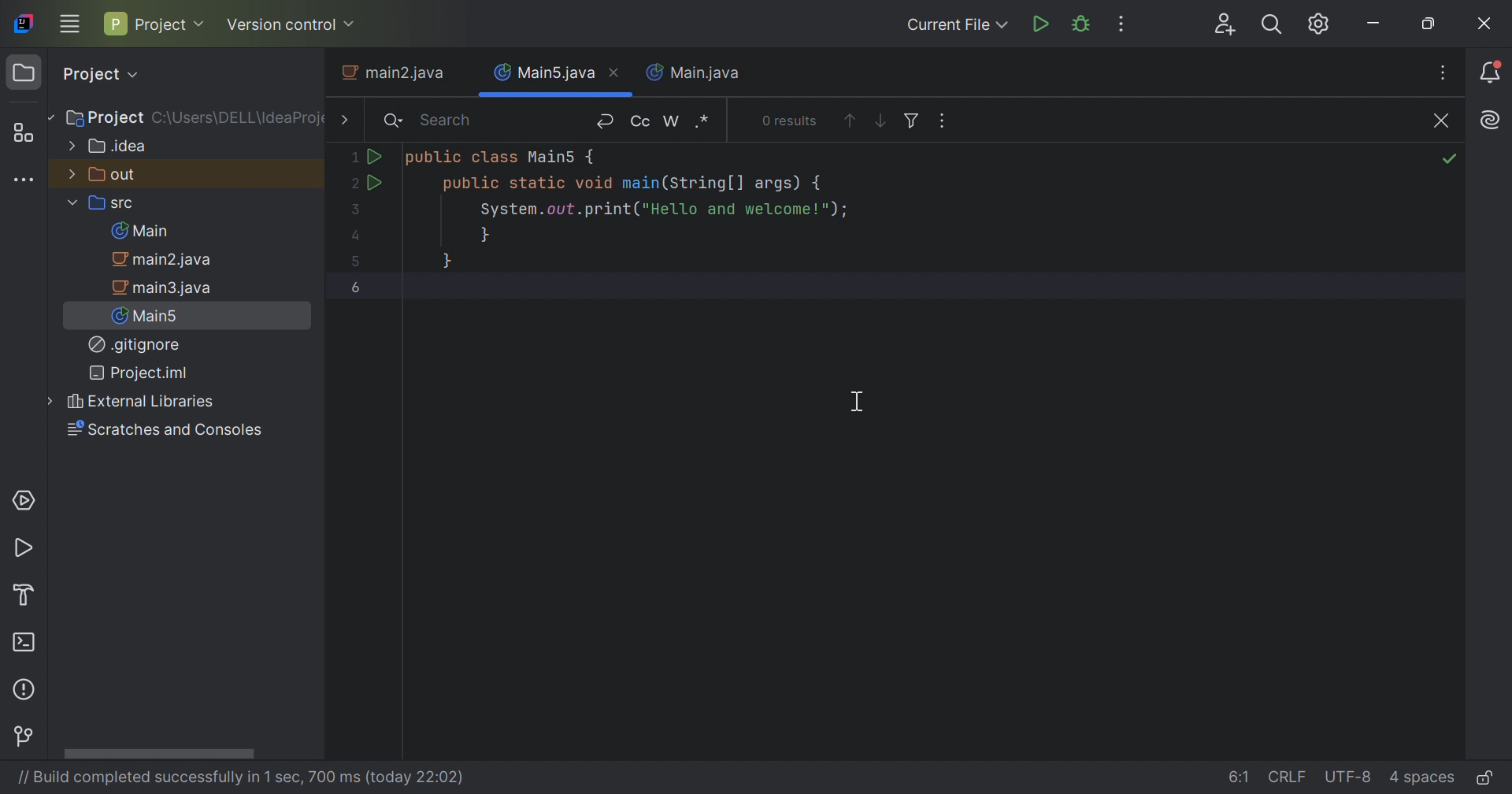 The width and height of the screenshot is (1512, 794). I want to click on Words, so click(674, 121).